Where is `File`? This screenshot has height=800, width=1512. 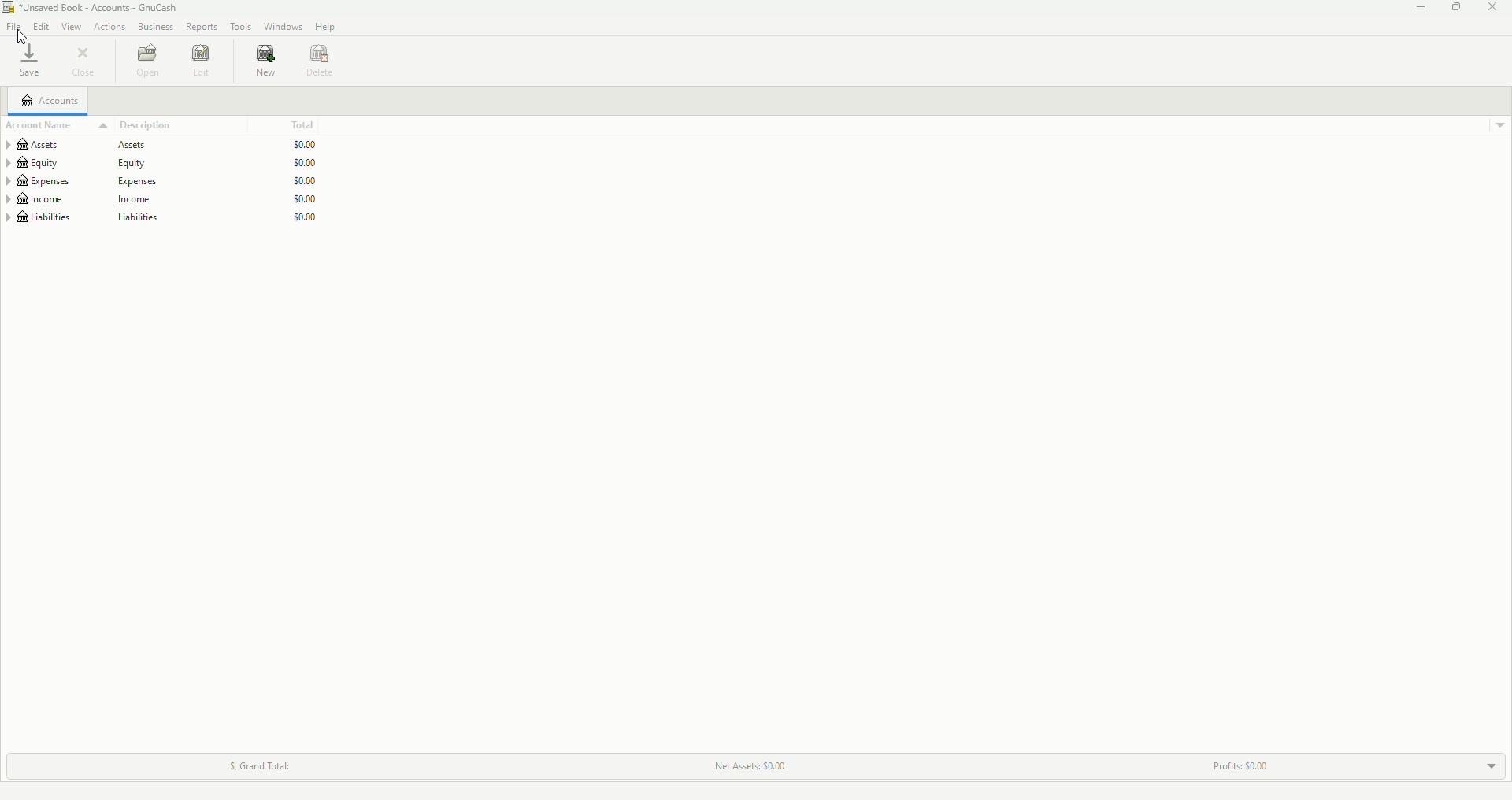 File is located at coordinates (13, 28).